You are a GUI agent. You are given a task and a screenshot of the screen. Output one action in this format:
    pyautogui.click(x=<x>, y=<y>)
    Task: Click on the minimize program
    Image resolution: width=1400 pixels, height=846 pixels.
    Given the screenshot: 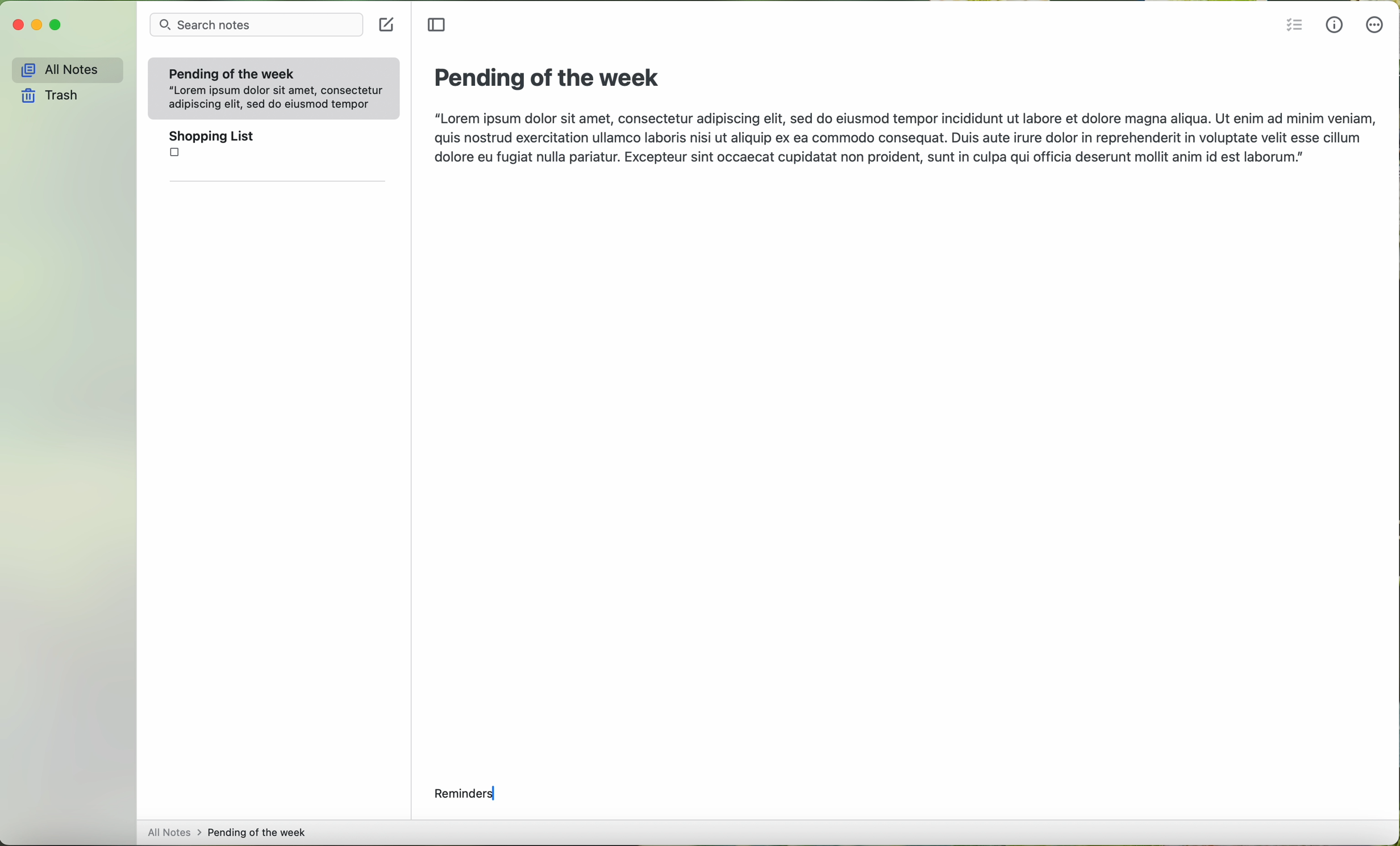 What is the action you would take?
    pyautogui.click(x=37, y=26)
    